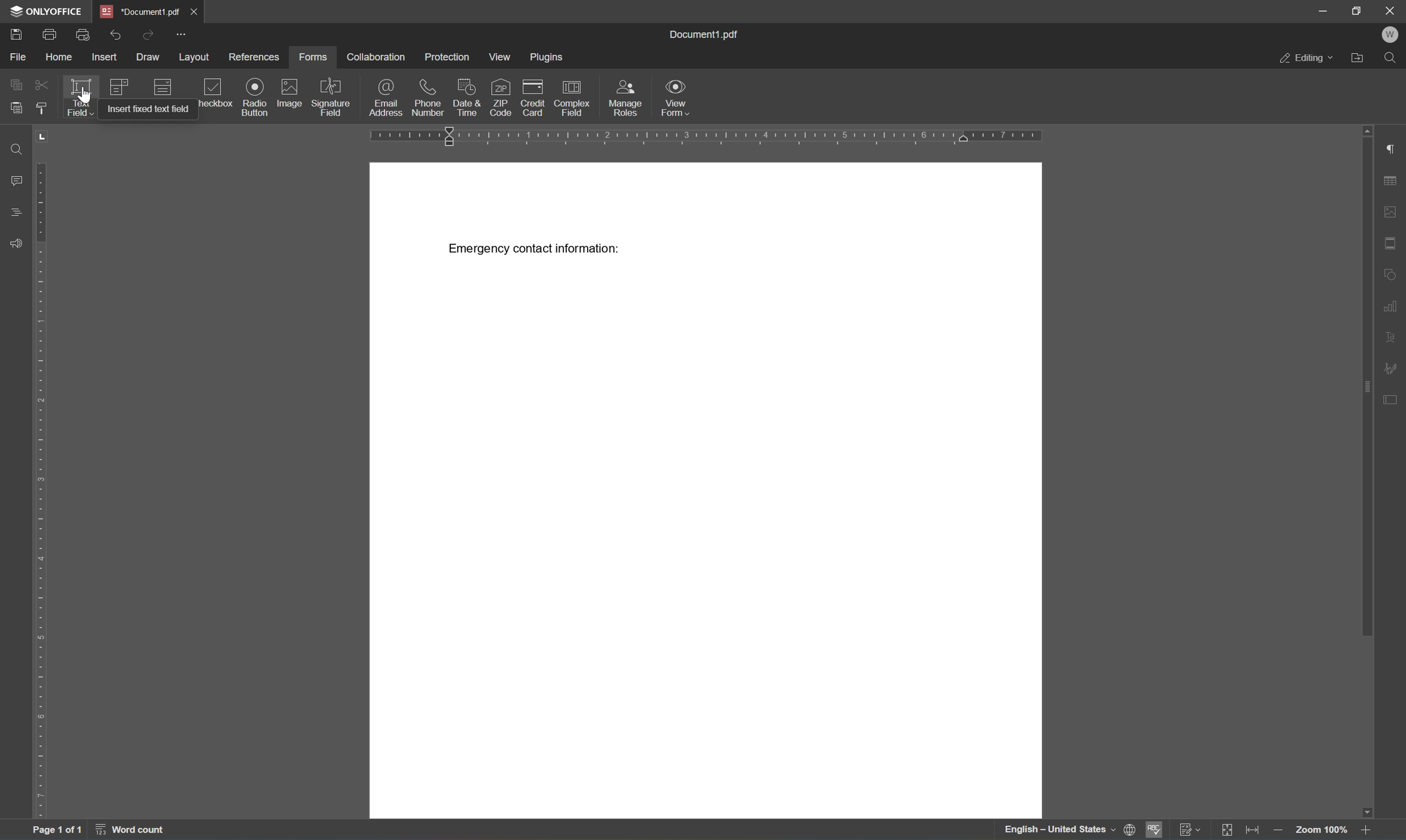  What do you see at coordinates (1394, 398) in the screenshot?
I see `form settings` at bounding box center [1394, 398].